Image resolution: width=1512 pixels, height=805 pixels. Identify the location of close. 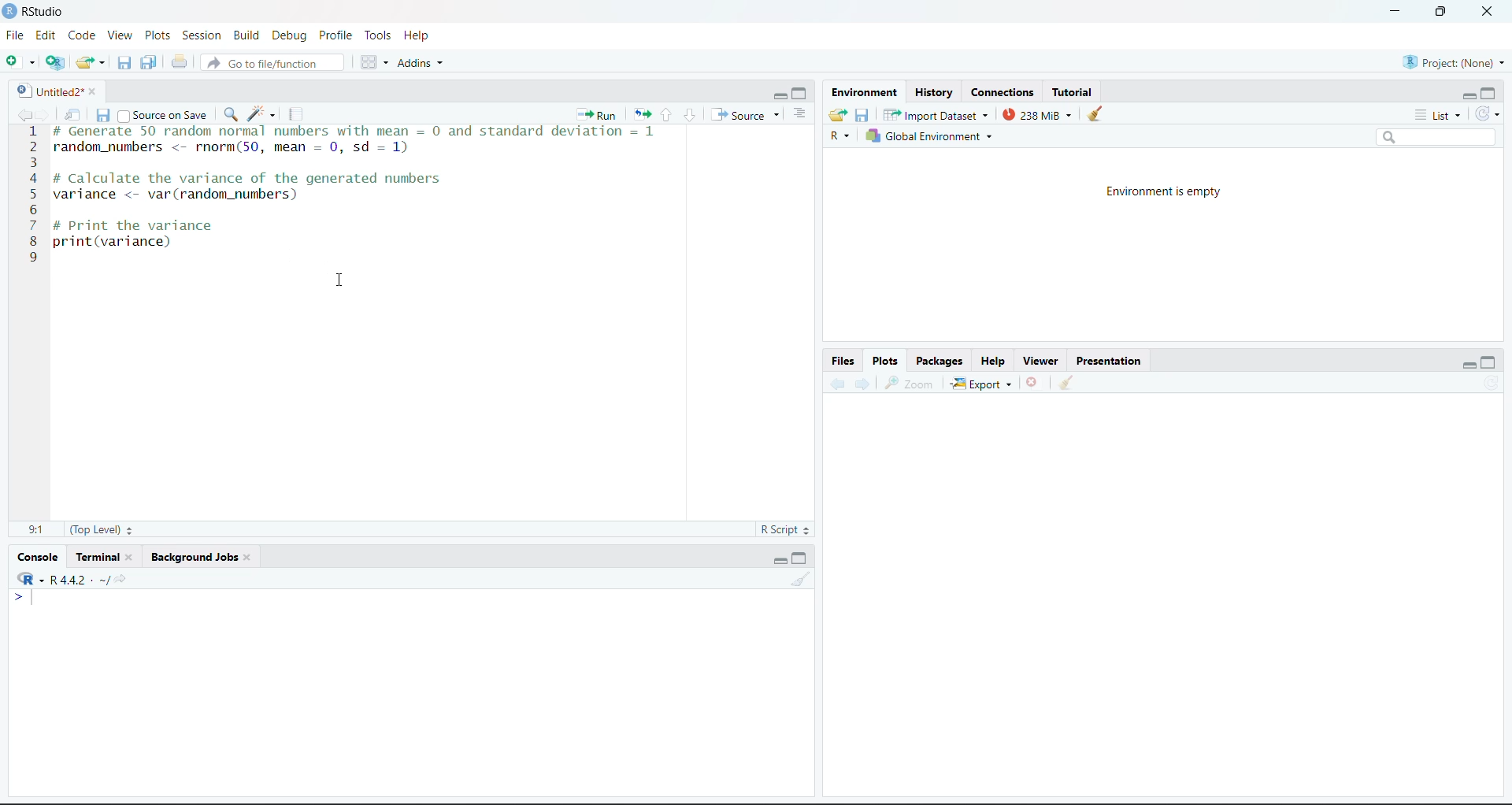
(134, 557).